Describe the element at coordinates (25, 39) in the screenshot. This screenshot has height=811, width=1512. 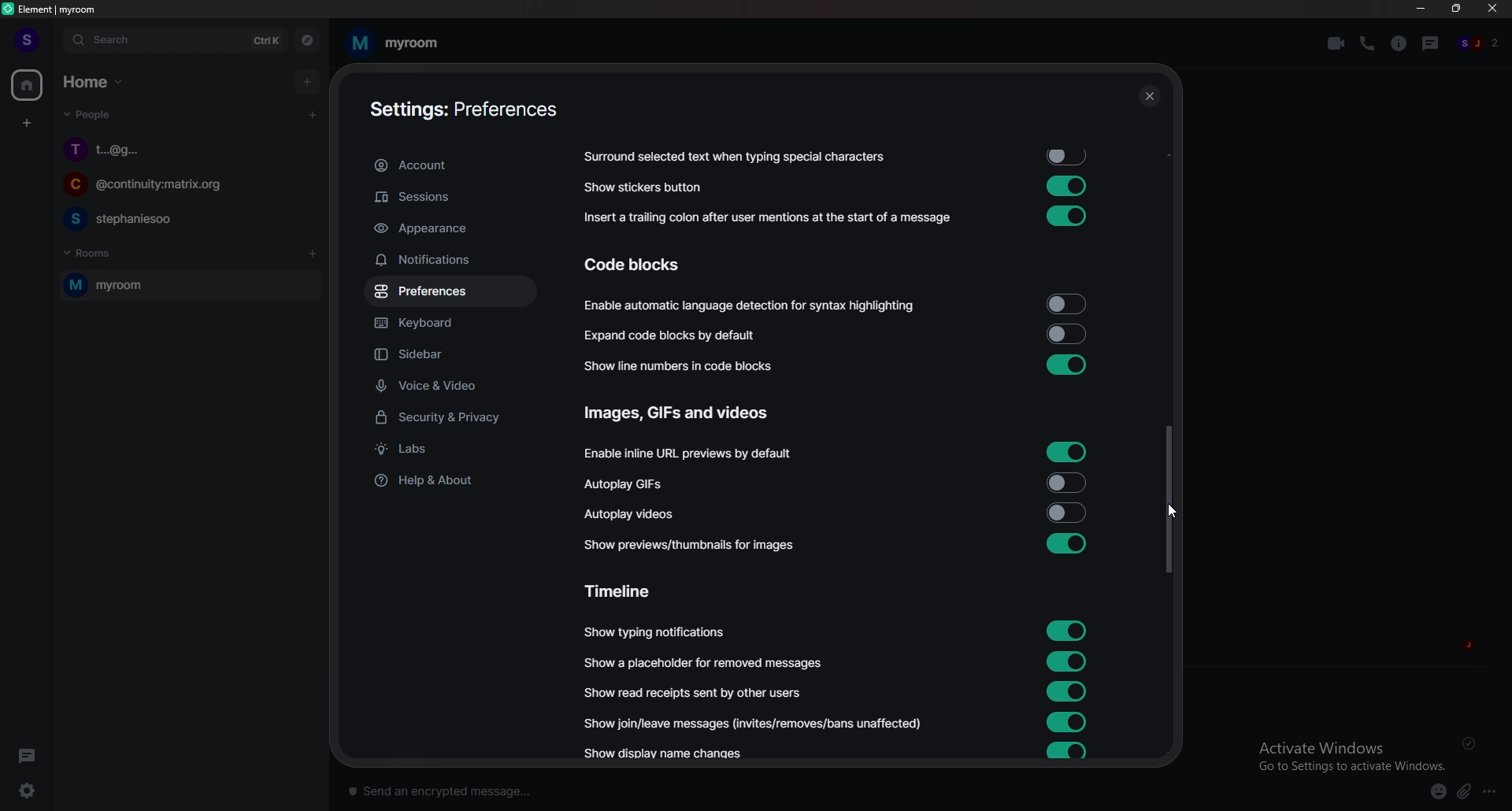
I see `profile` at that location.